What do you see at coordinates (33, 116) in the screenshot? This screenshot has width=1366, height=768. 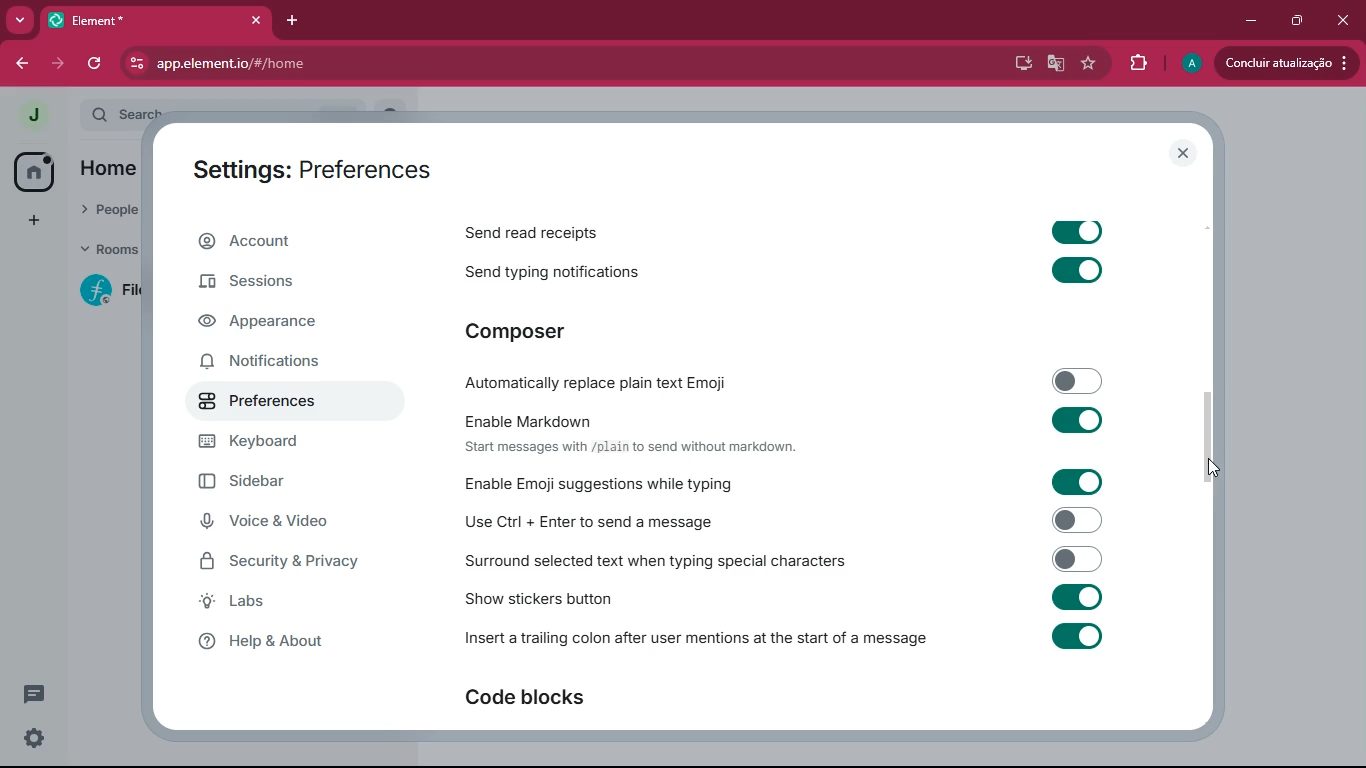 I see `profile picture` at bounding box center [33, 116].